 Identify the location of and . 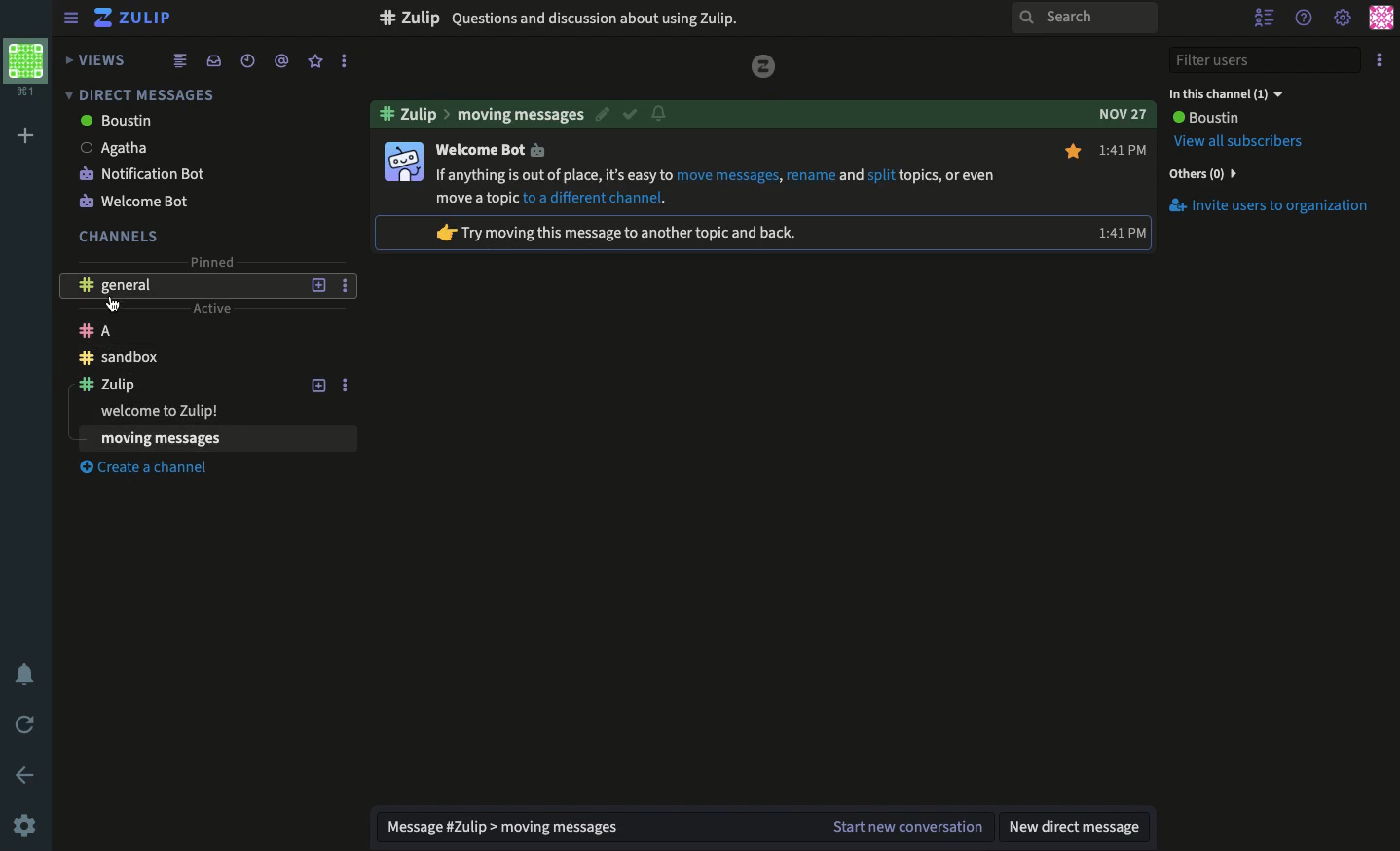
(853, 175).